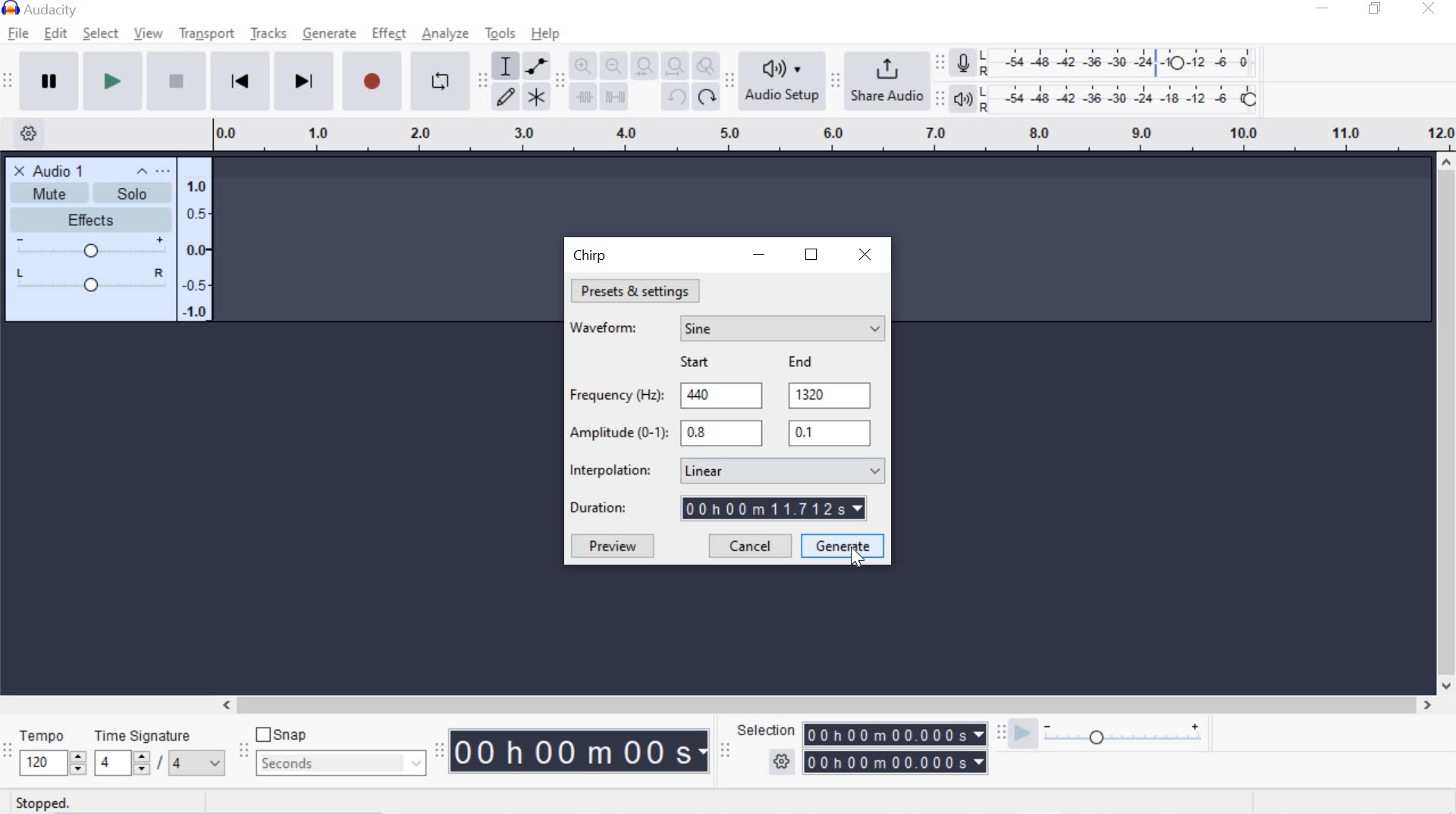 The height and width of the screenshot is (814, 1456). What do you see at coordinates (962, 99) in the screenshot?
I see `Playback meter` at bounding box center [962, 99].